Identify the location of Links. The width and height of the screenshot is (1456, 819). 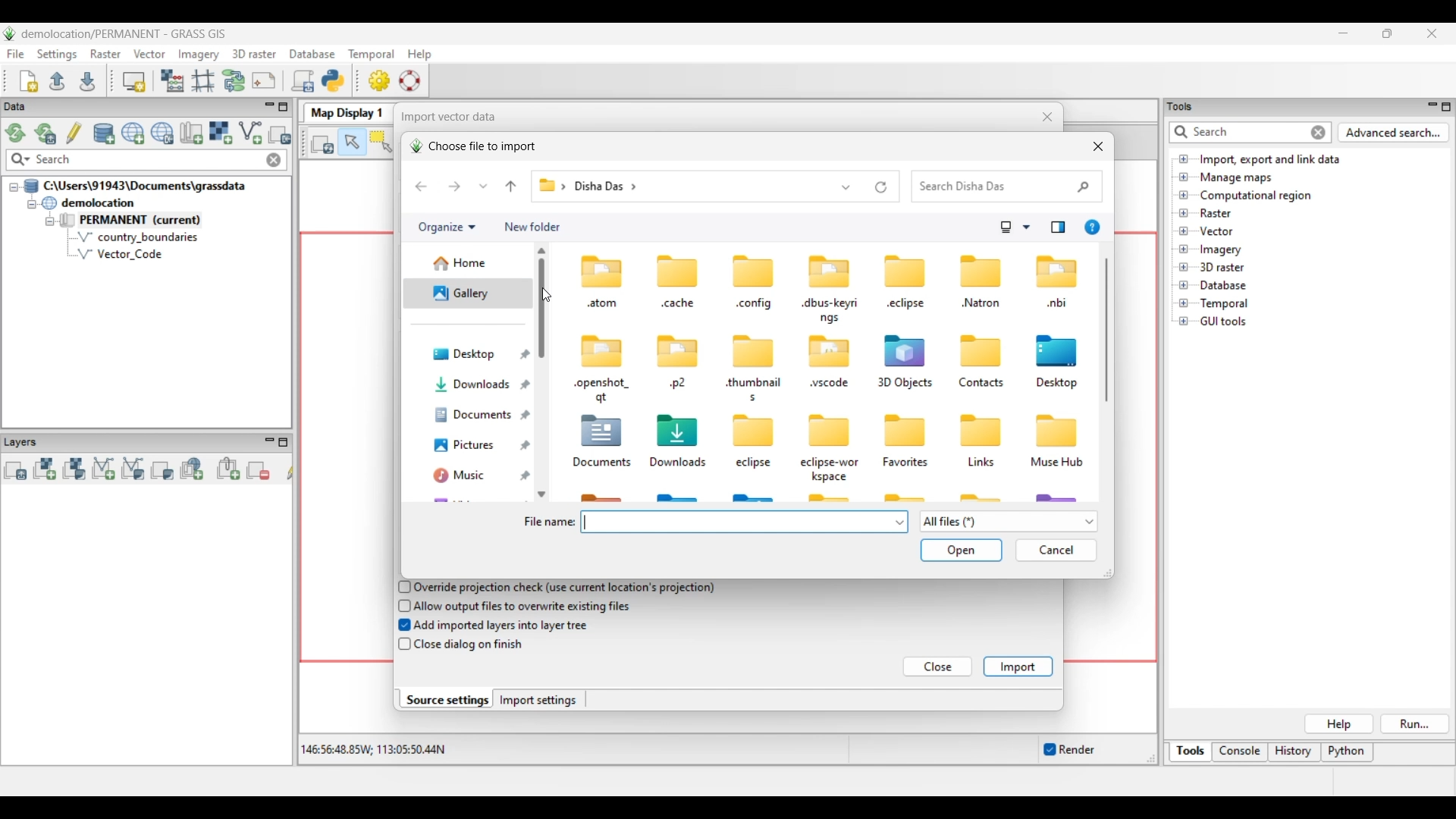
(981, 465).